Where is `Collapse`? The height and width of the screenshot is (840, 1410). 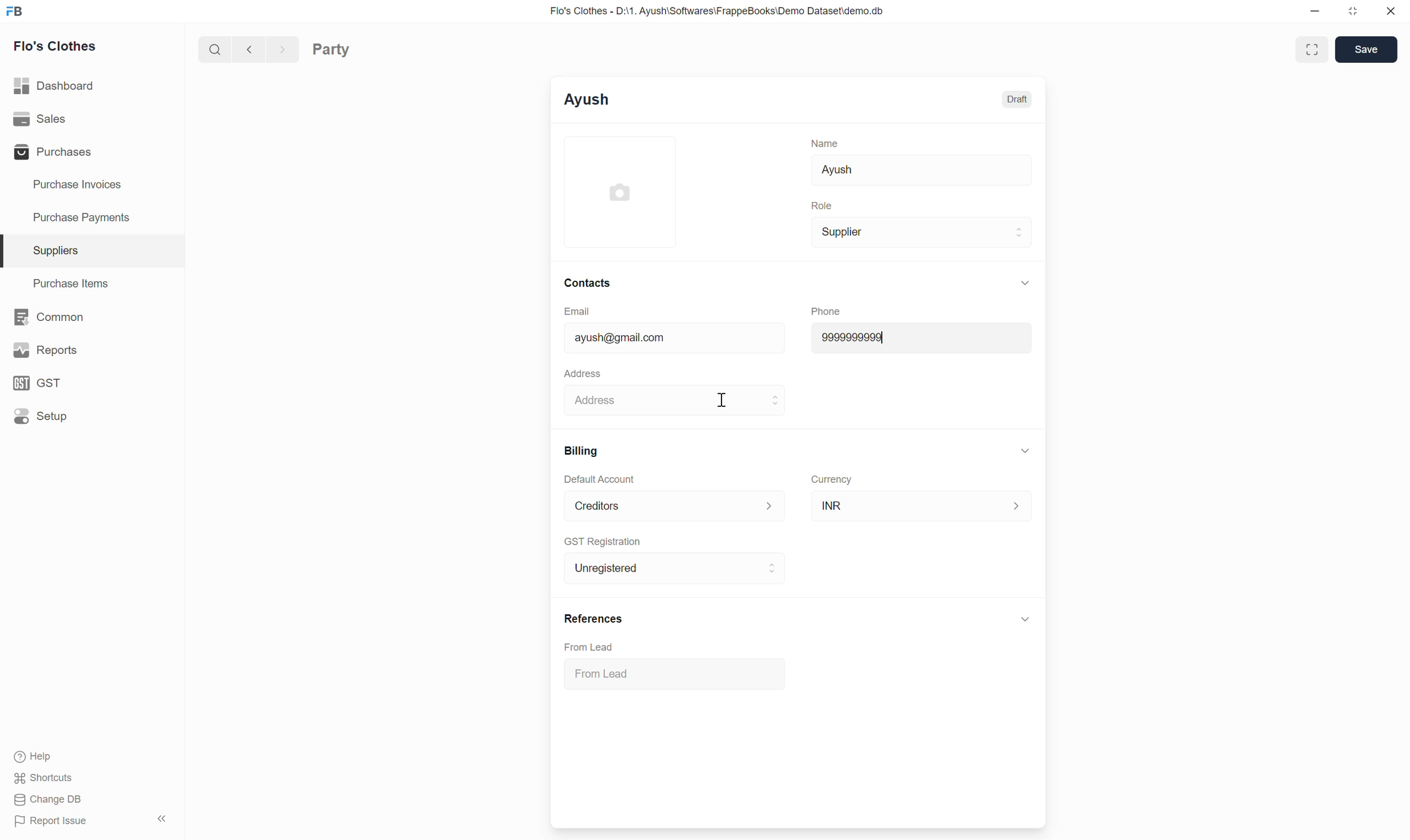 Collapse is located at coordinates (1025, 283).